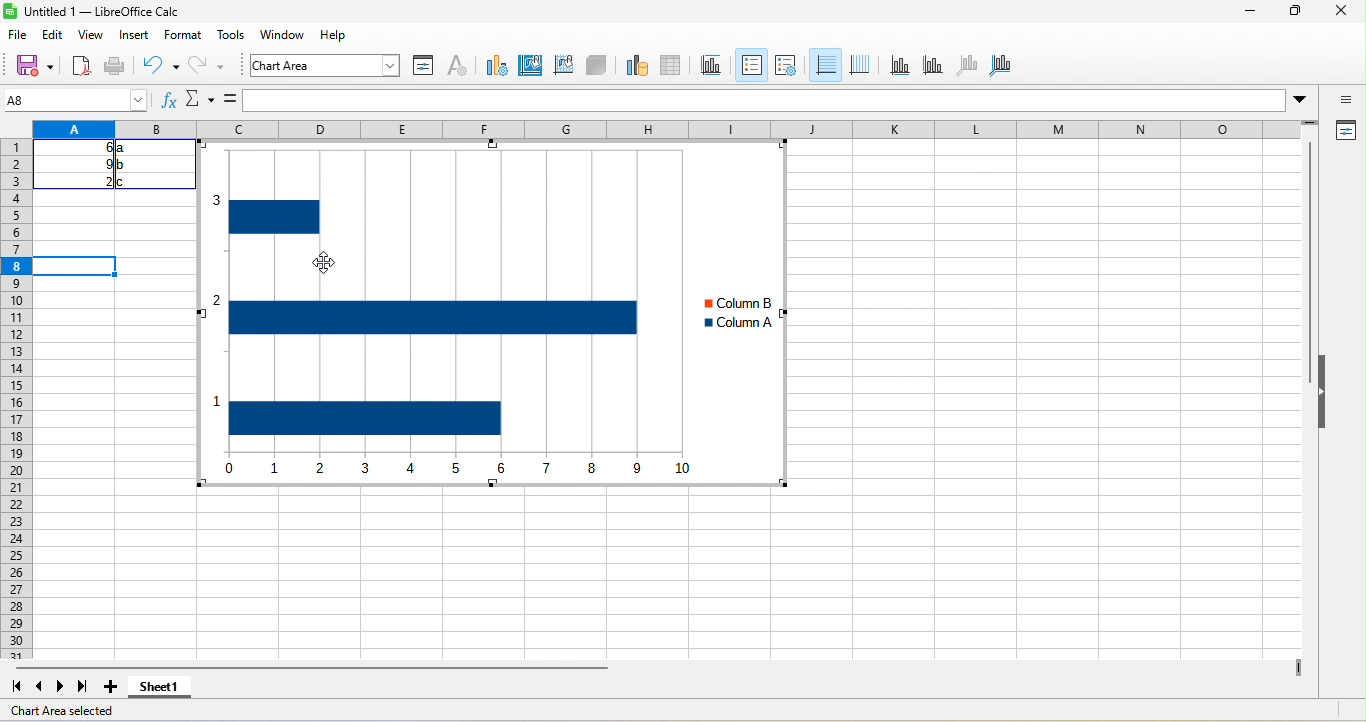  What do you see at coordinates (562, 64) in the screenshot?
I see `chart wall` at bounding box center [562, 64].